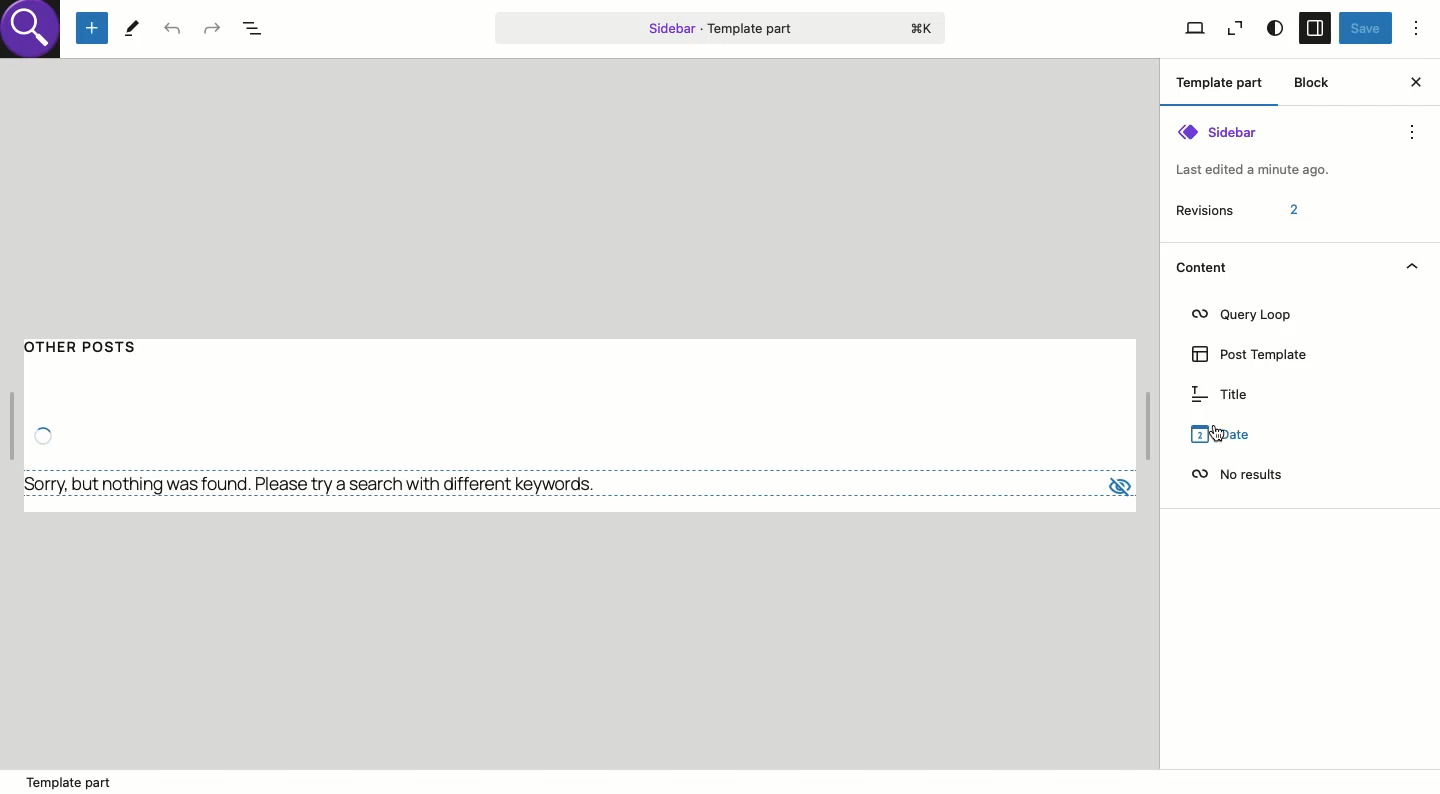 The height and width of the screenshot is (794, 1440). What do you see at coordinates (1274, 29) in the screenshot?
I see `Style` at bounding box center [1274, 29].